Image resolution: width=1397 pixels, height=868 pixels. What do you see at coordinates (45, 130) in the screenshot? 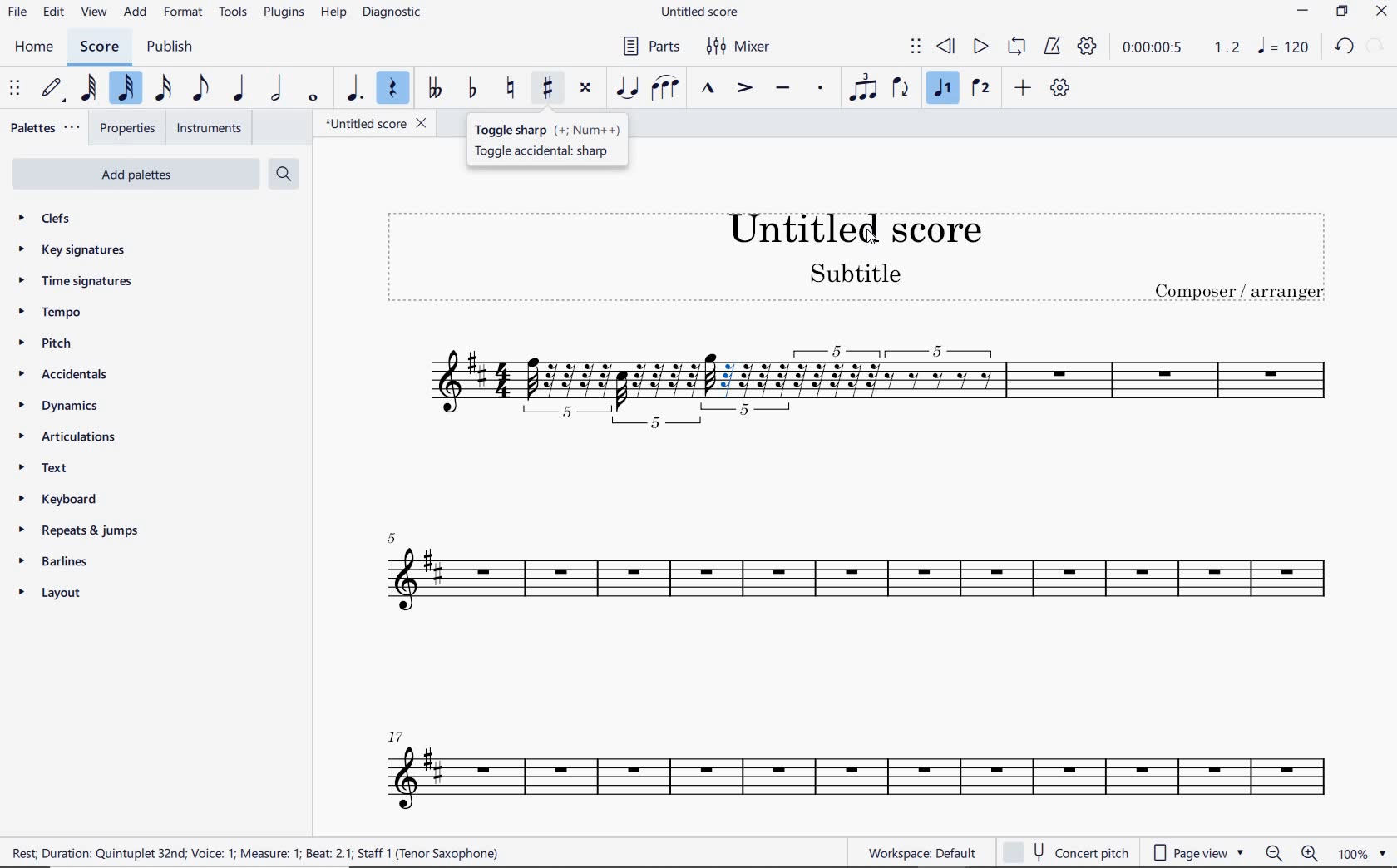
I see `PALETTES` at bounding box center [45, 130].